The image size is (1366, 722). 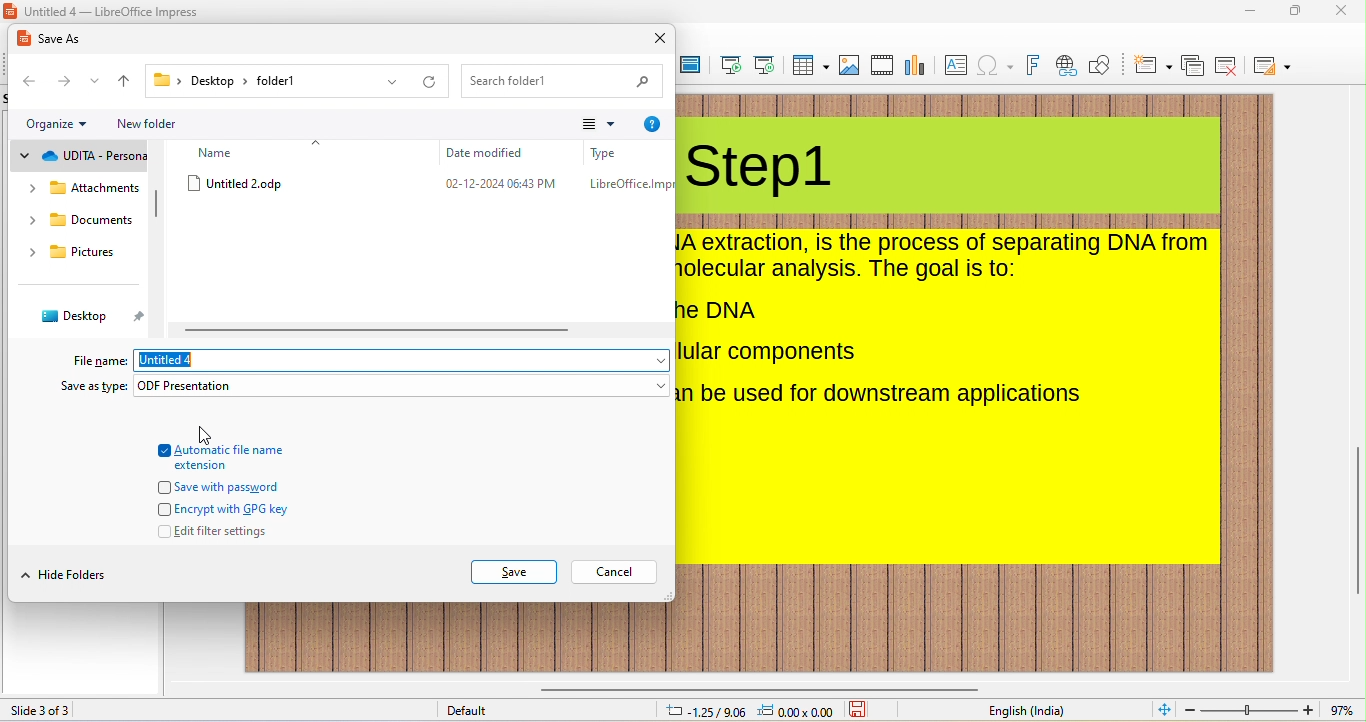 What do you see at coordinates (946, 322) in the screenshot?
I see `content` at bounding box center [946, 322].